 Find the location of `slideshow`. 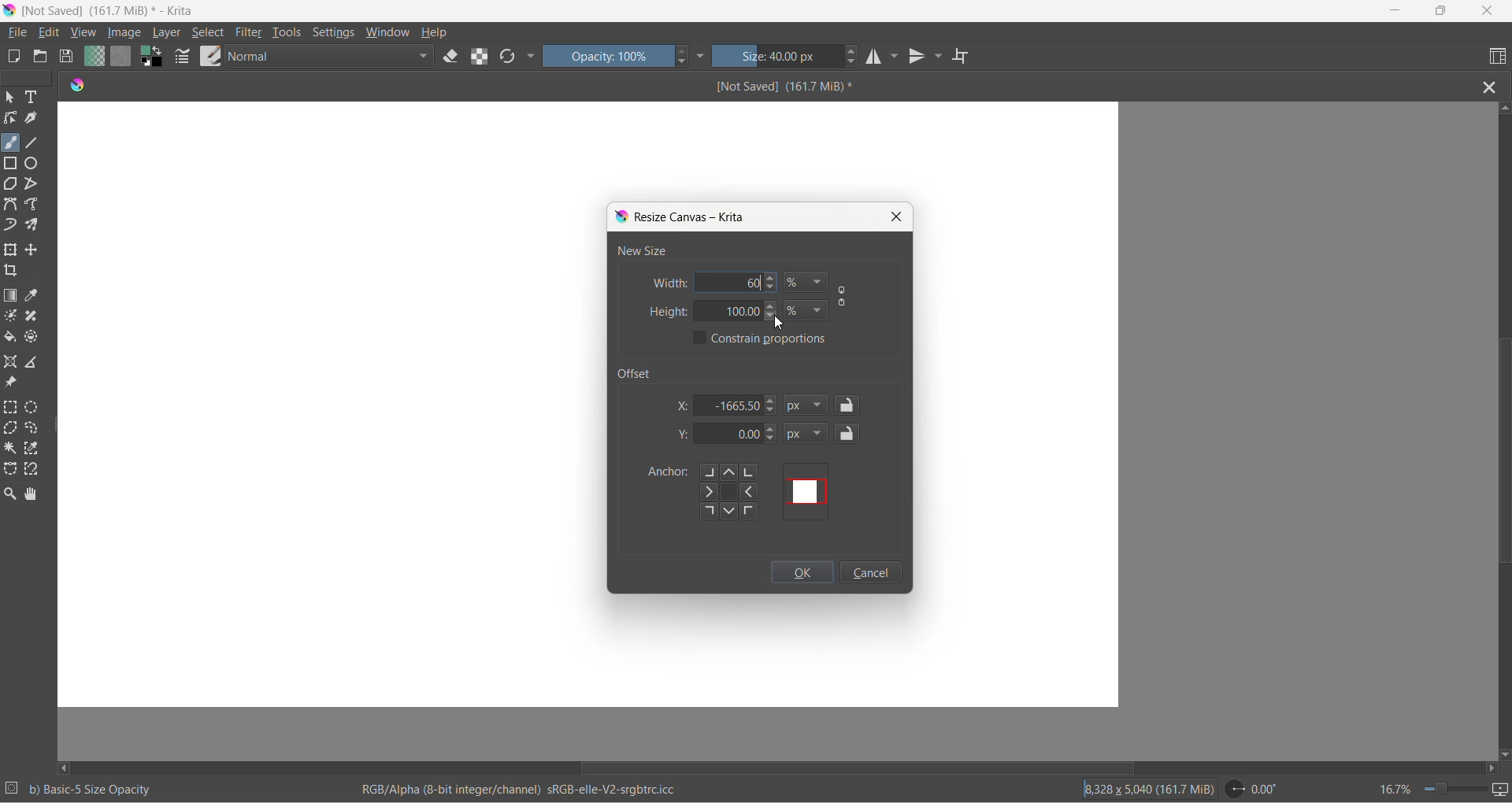

slideshow is located at coordinates (1502, 790).